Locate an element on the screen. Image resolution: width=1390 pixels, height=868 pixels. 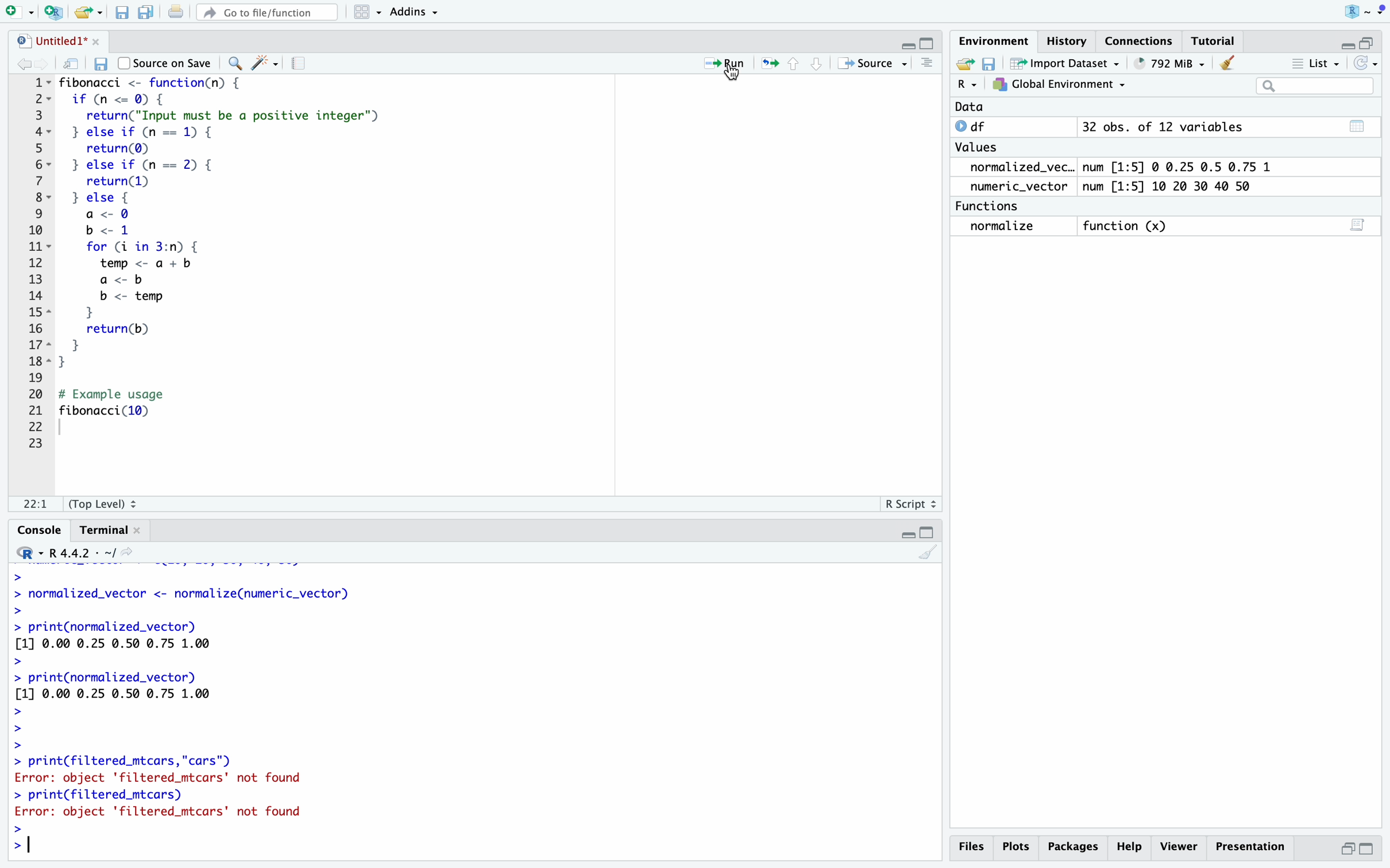
new file is located at coordinates (19, 13).